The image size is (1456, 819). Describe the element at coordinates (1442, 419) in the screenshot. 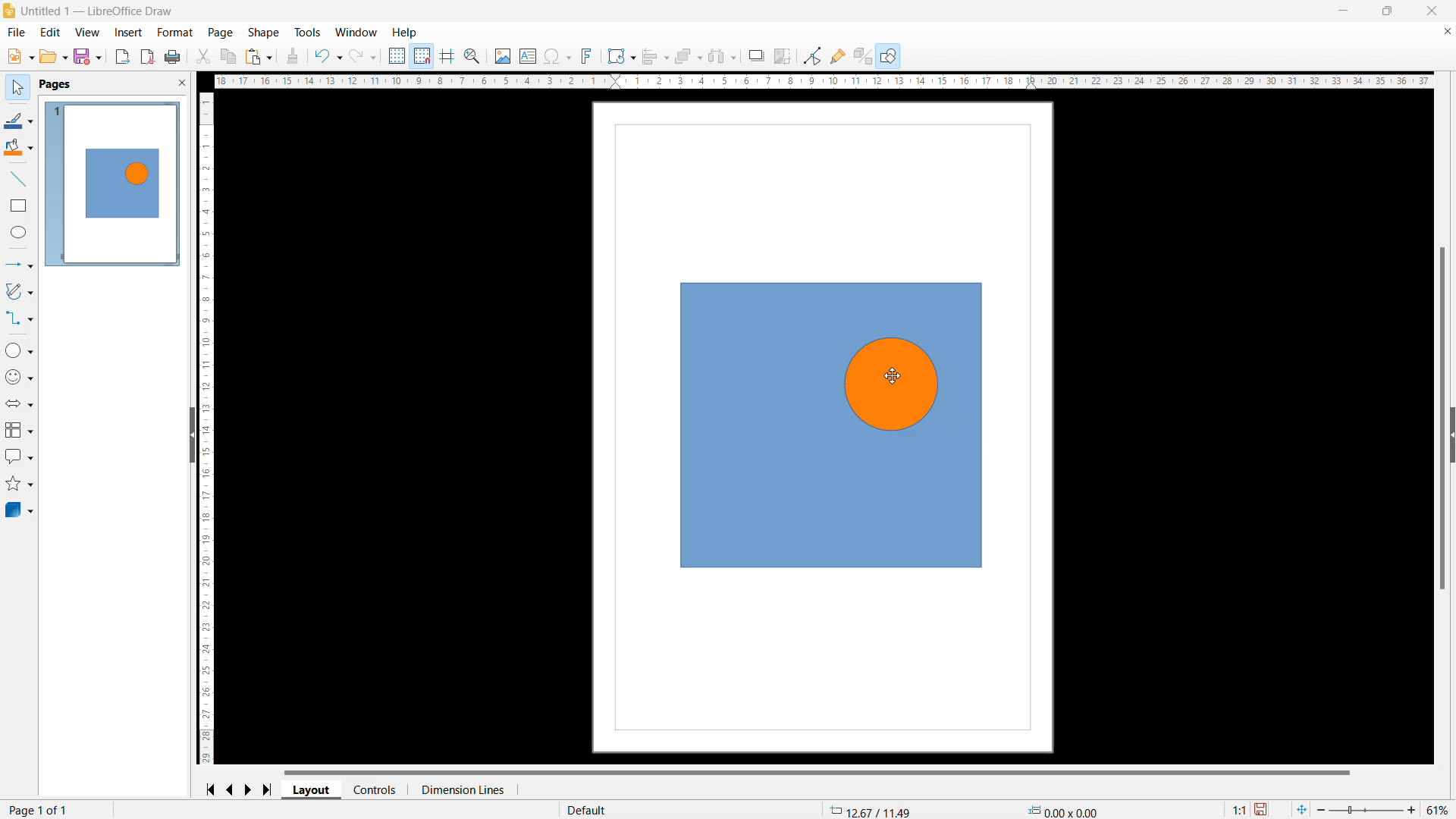

I see `vertical scrollbar` at that location.